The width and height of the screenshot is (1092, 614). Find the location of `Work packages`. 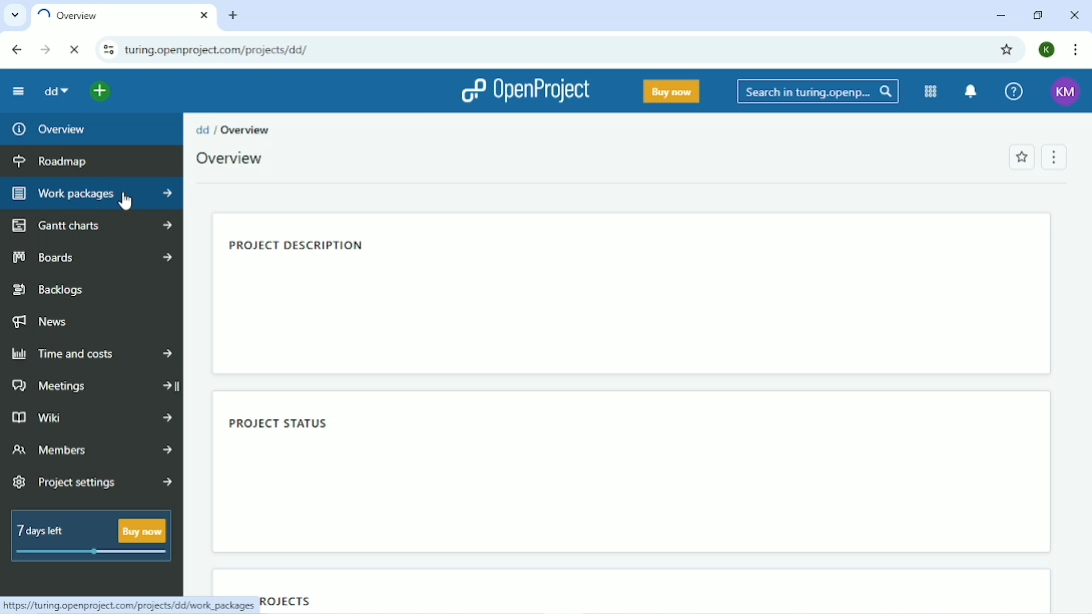

Work packages is located at coordinates (90, 194).